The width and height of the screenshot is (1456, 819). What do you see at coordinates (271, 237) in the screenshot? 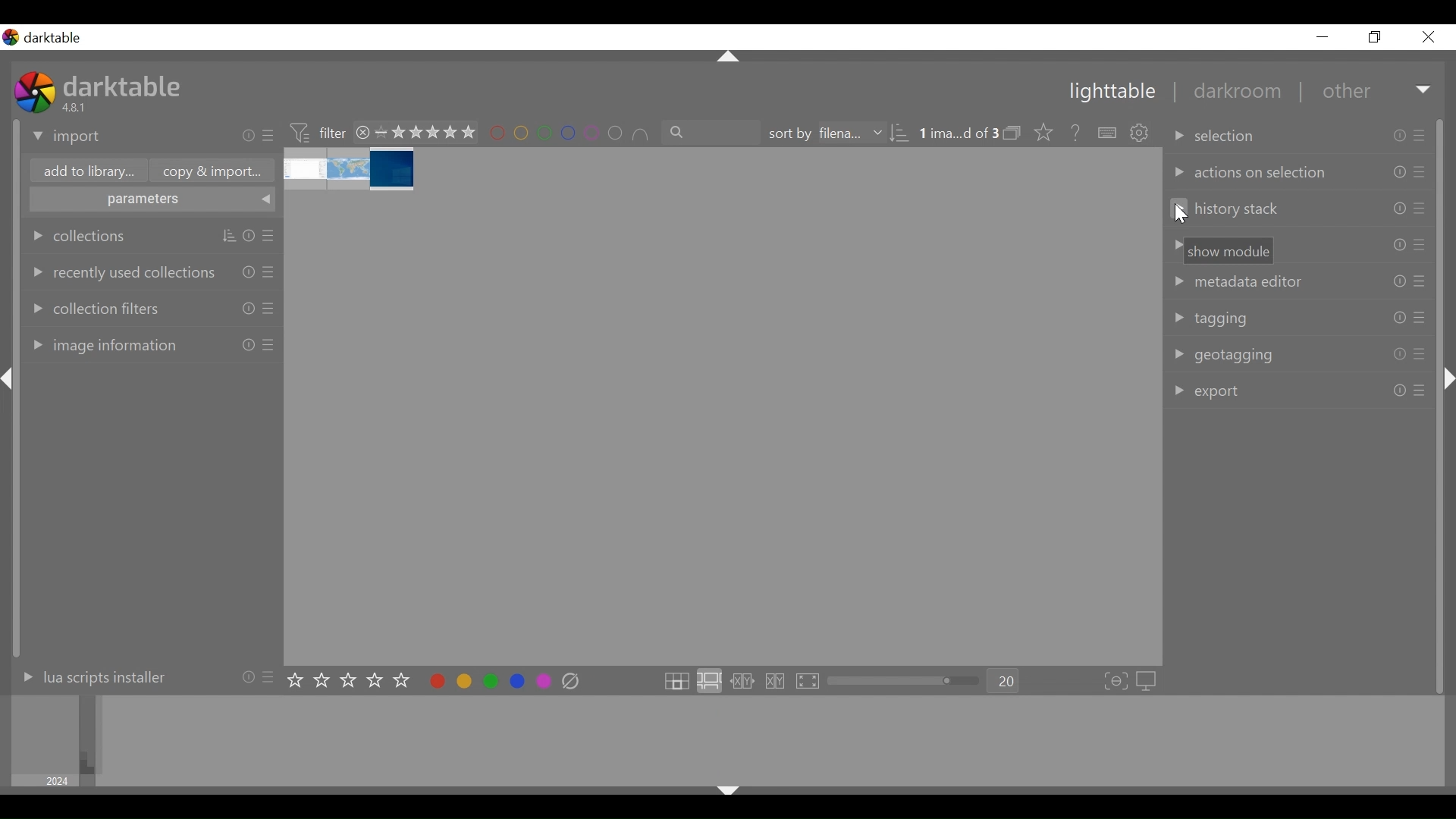
I see `presets` at bounding box center [271, 237].